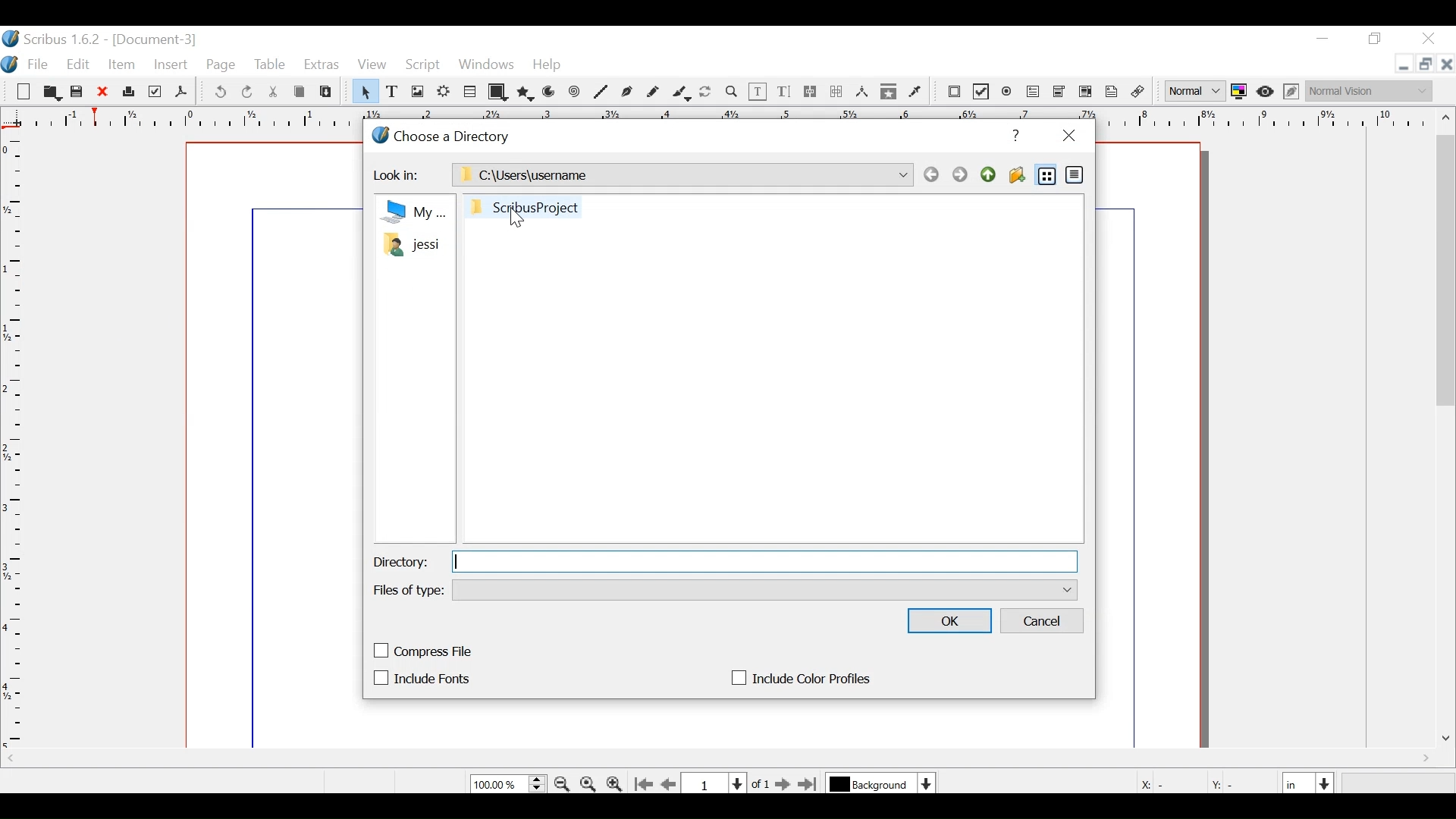  What do you see at coordinates (1112, 93) in the screenshot?
I see `link Annotation` at bounding box center [1112, 93].